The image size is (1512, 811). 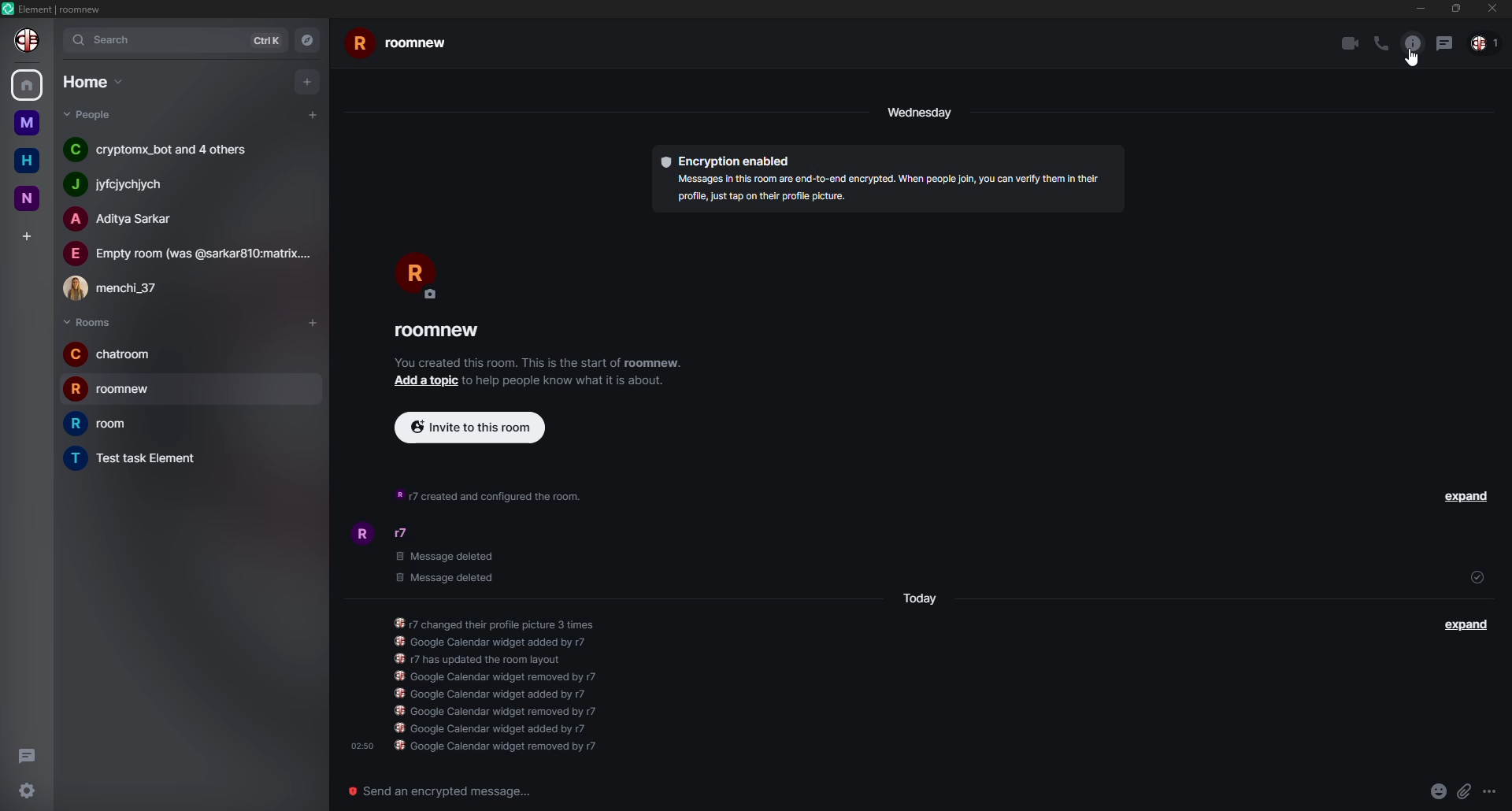 I want to click on element, so click(x=54, y=9).